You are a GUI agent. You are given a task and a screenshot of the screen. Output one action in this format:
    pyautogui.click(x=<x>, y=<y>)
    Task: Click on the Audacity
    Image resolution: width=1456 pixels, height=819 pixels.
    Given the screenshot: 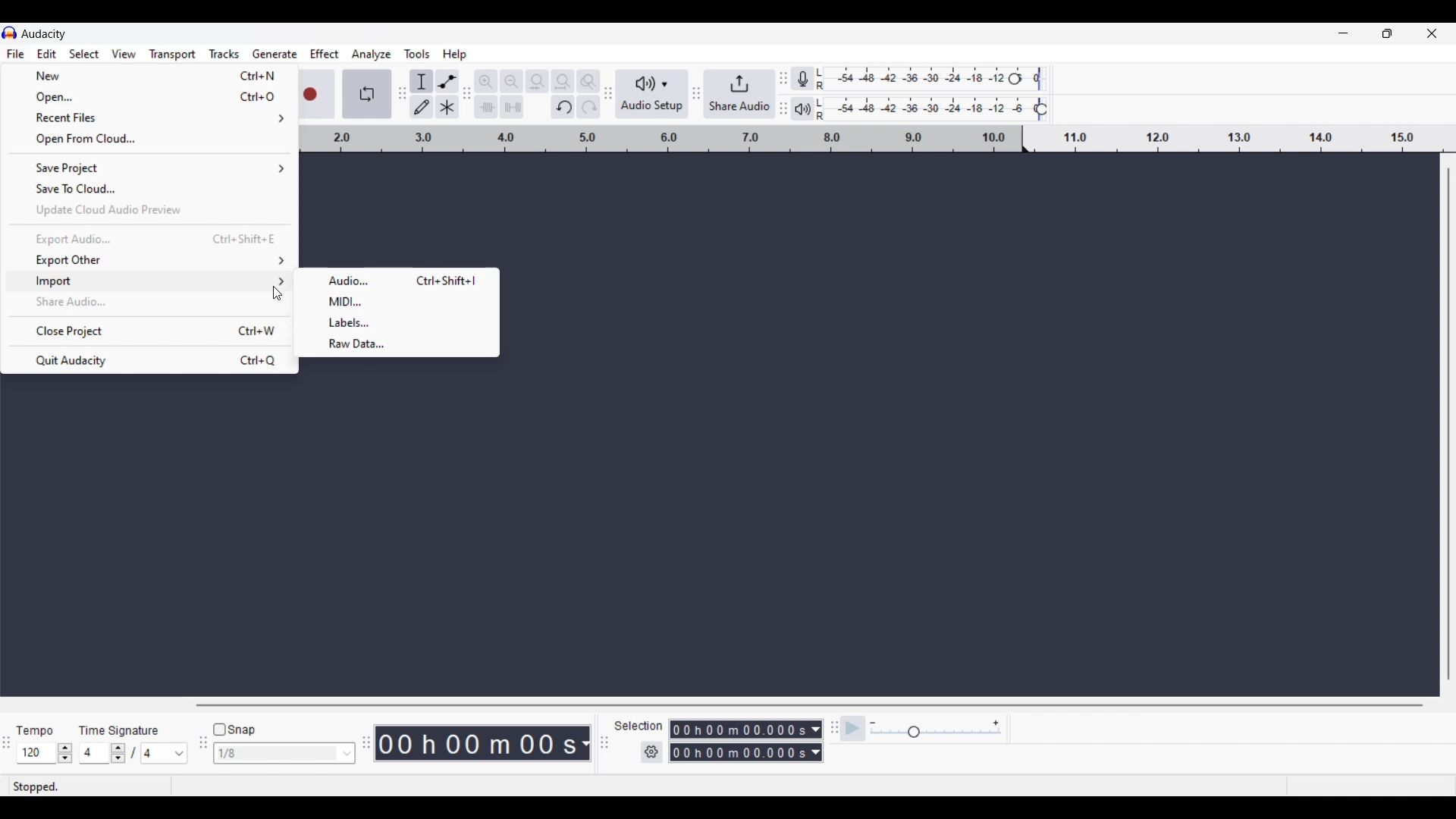 What is the action you would take?
    pyautogui.click(x=46, y=33)
    